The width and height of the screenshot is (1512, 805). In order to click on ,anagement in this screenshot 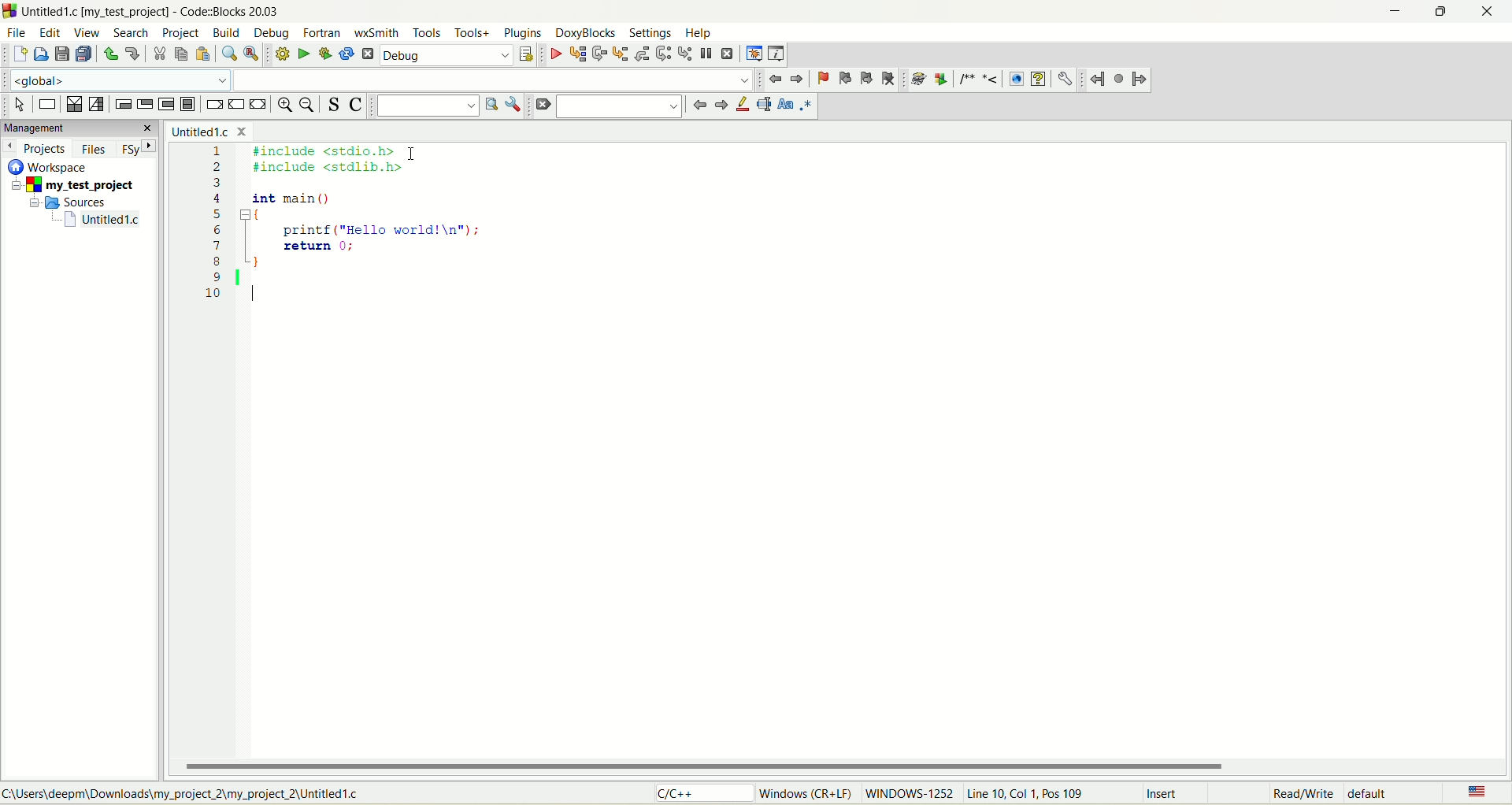, I will do `click(79, 128)`.